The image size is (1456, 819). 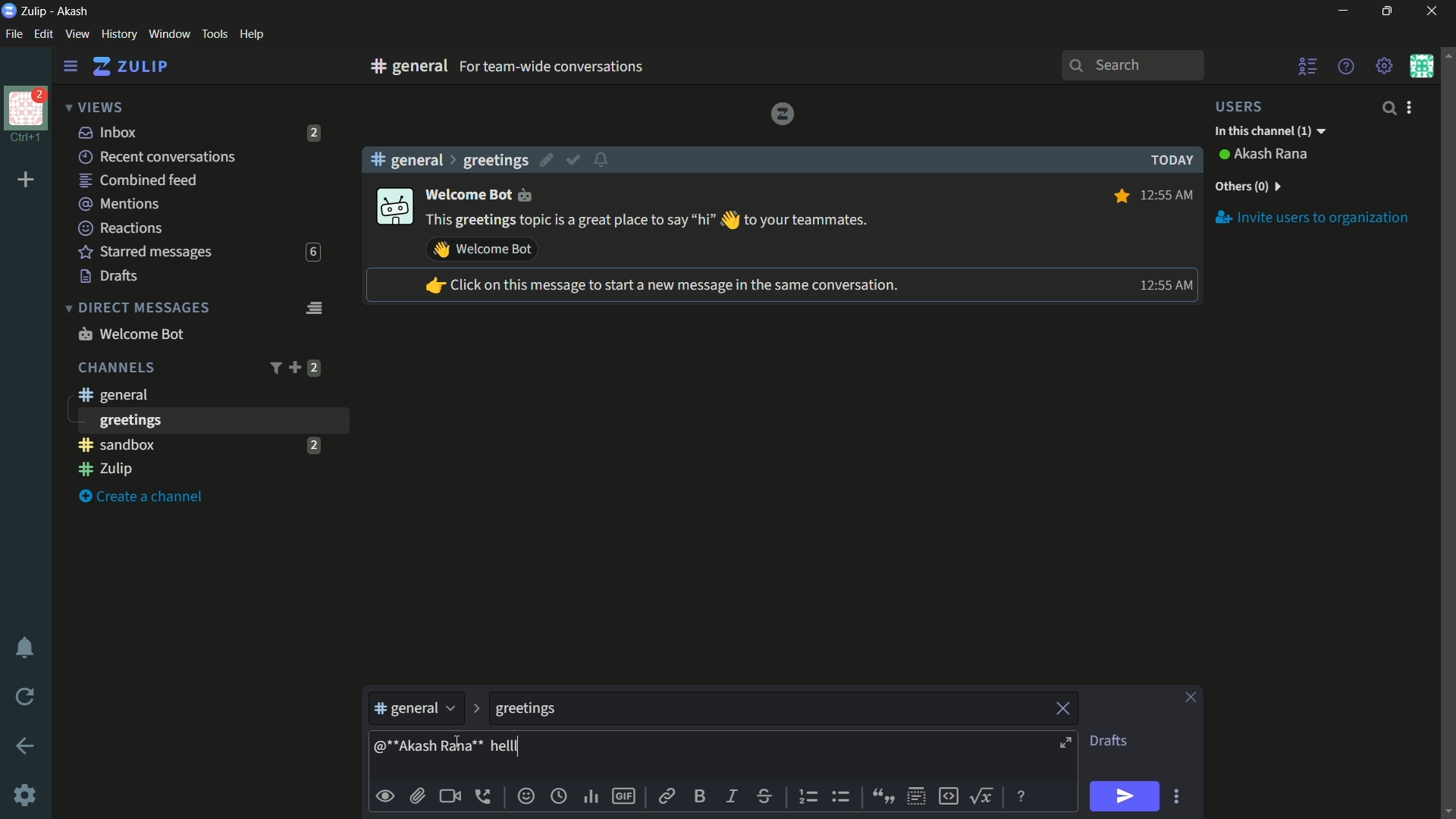 What do you see at coordinates (782, 113) in the screenshot?
I see `Zulip logo` at bounding box center [782, 113].